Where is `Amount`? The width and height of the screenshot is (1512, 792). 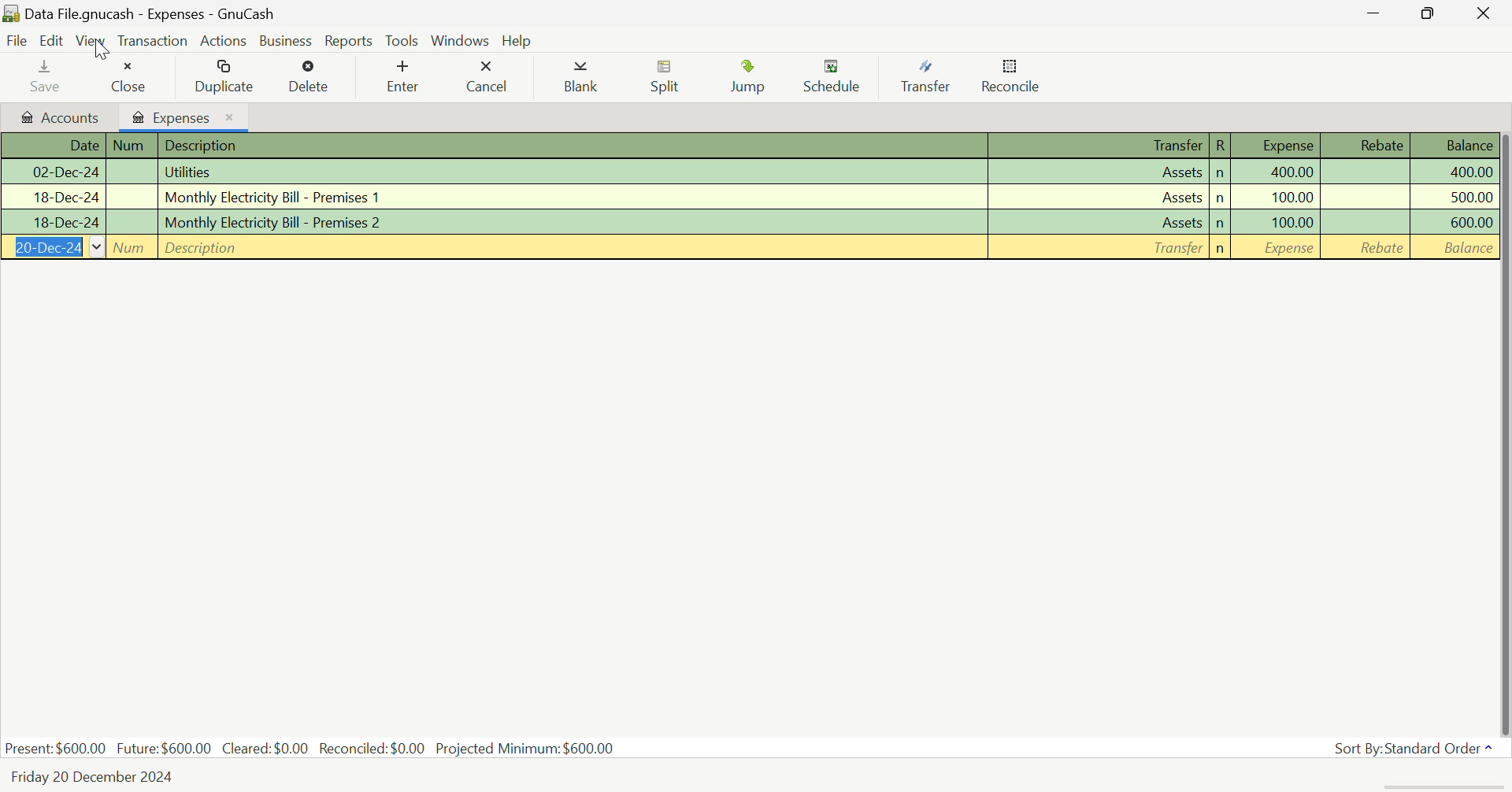 Amount is located at coordinates (1452, 172).